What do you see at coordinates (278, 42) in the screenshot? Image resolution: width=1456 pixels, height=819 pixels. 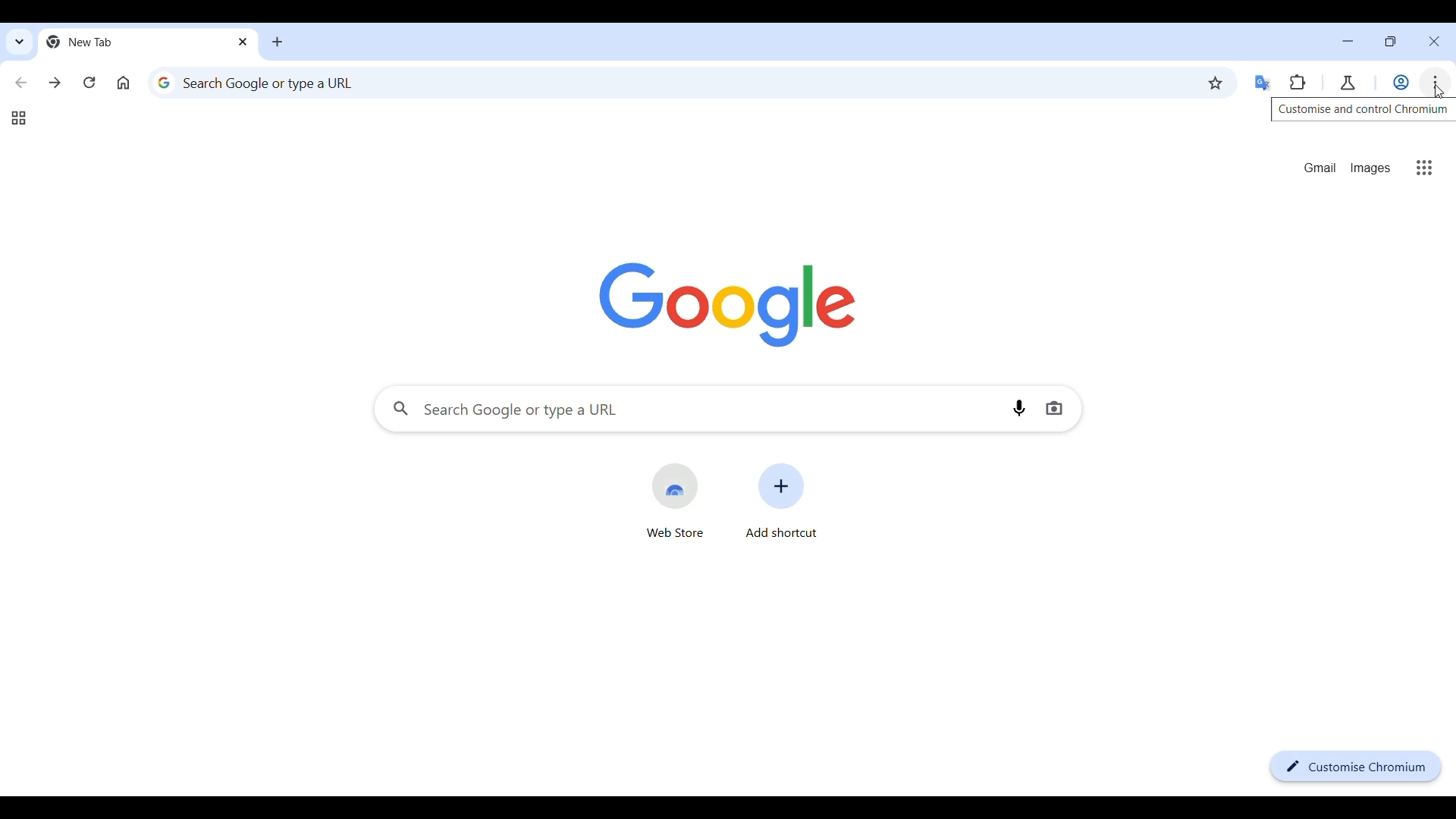 I see `Add new tab` at bounding box center [278, 42].